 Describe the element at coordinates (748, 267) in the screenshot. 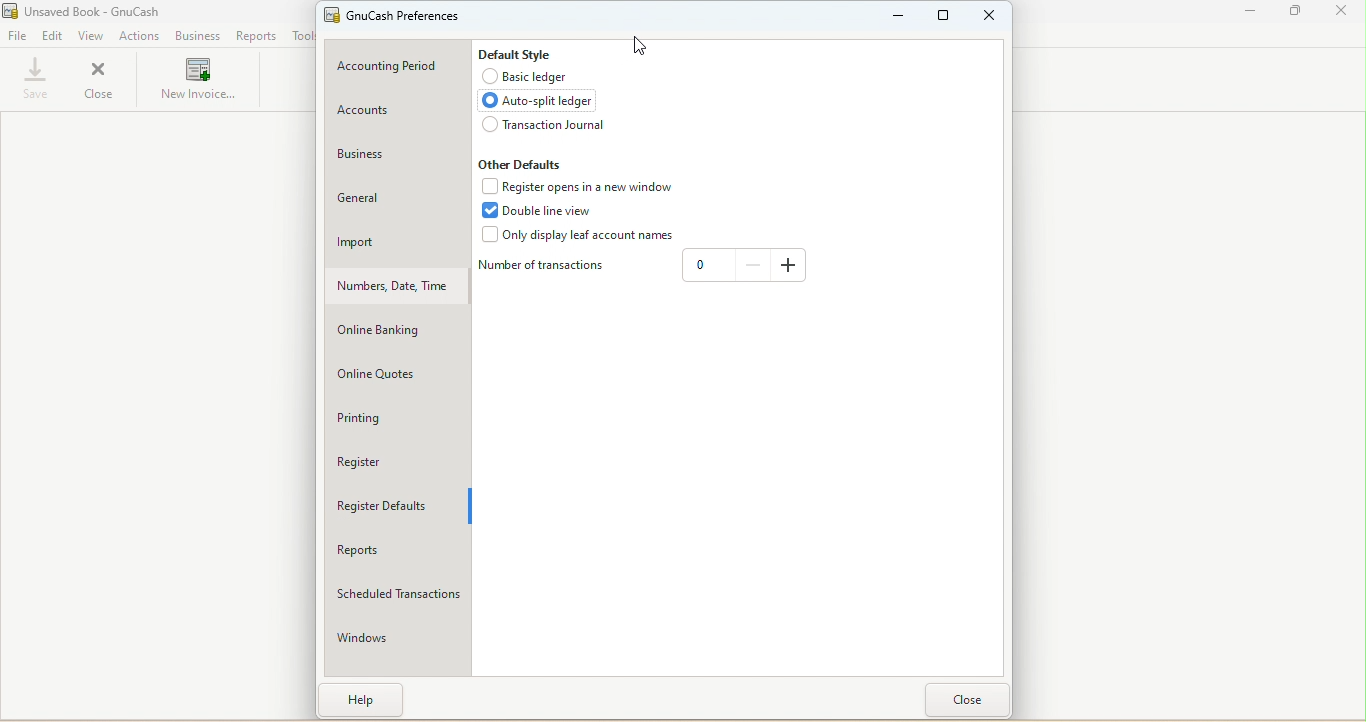

I see `Decrease` at that location.